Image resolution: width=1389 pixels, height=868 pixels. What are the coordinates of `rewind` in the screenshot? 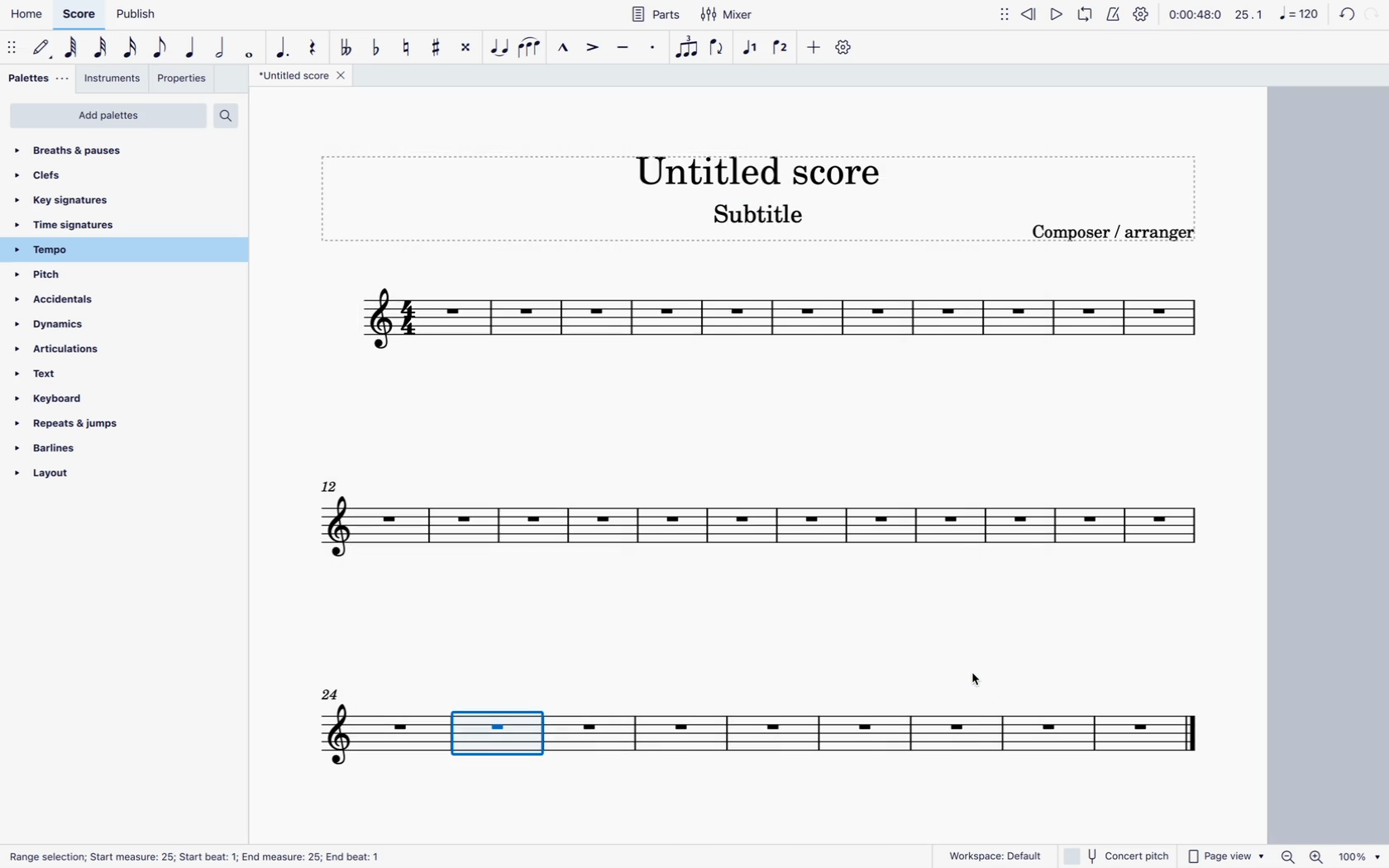 It's located at (1030, 13).